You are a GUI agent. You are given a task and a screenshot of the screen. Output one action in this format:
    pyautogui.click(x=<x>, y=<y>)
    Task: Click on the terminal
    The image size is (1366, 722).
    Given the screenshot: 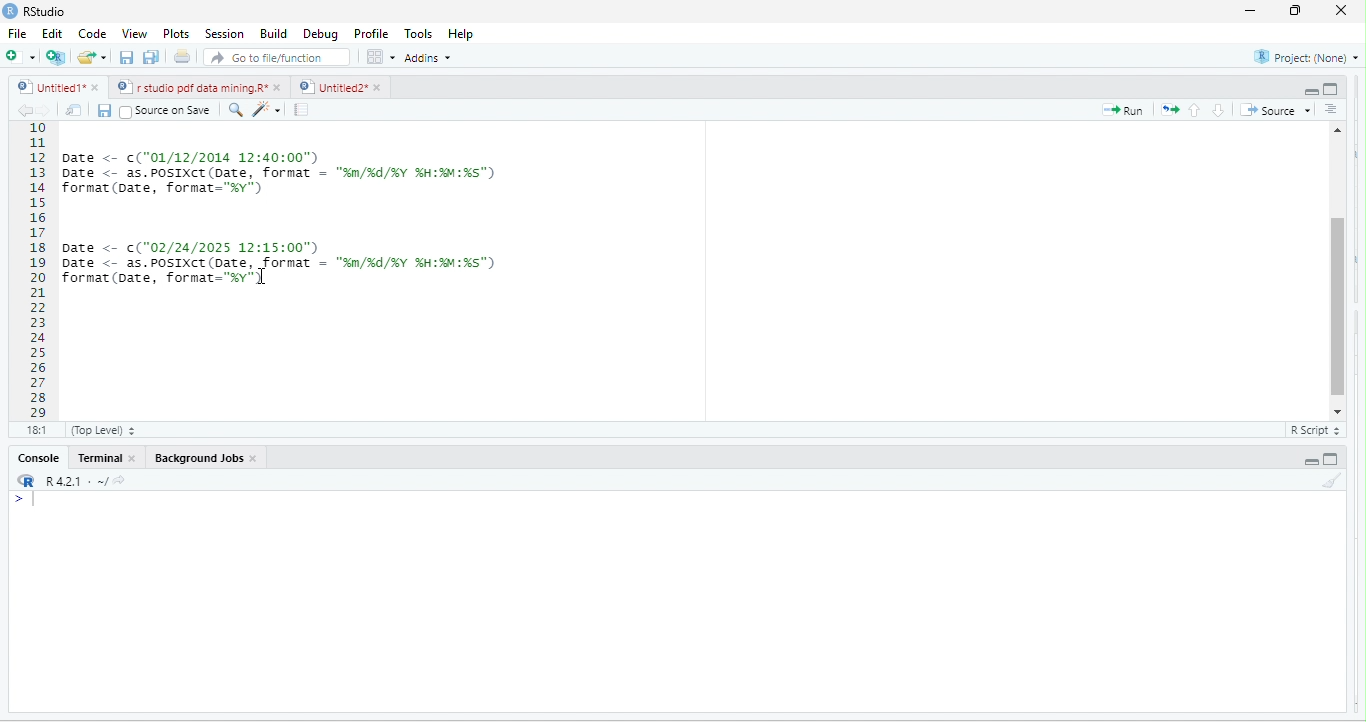 What is the action you would take?
    pyautogui.click(x=101, y=460)
    